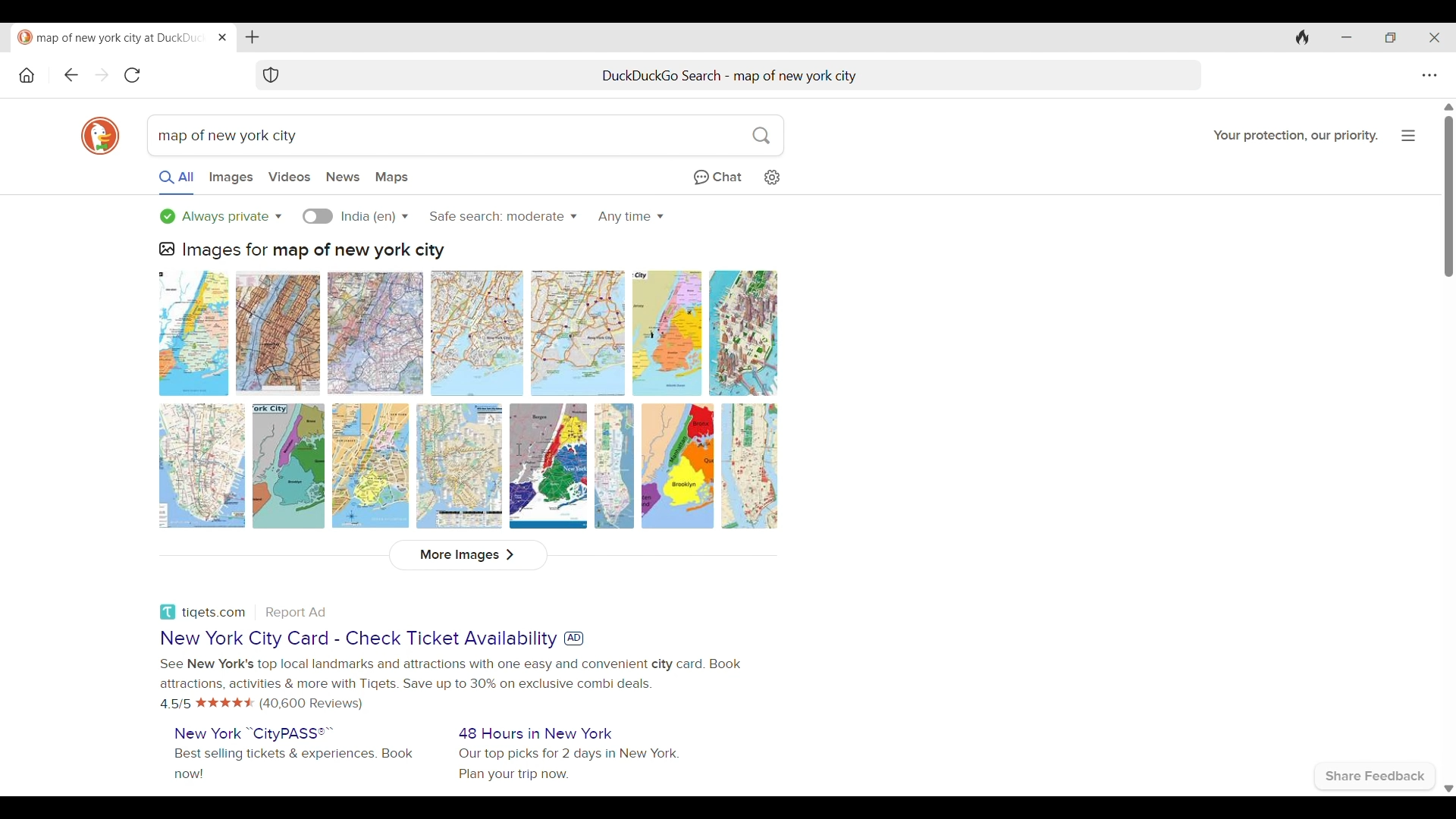 The width and height of the screenshot is (1456, 819). Describe the element at coordinates (391, 178) in the screenshot. I see `Maps` at that location.